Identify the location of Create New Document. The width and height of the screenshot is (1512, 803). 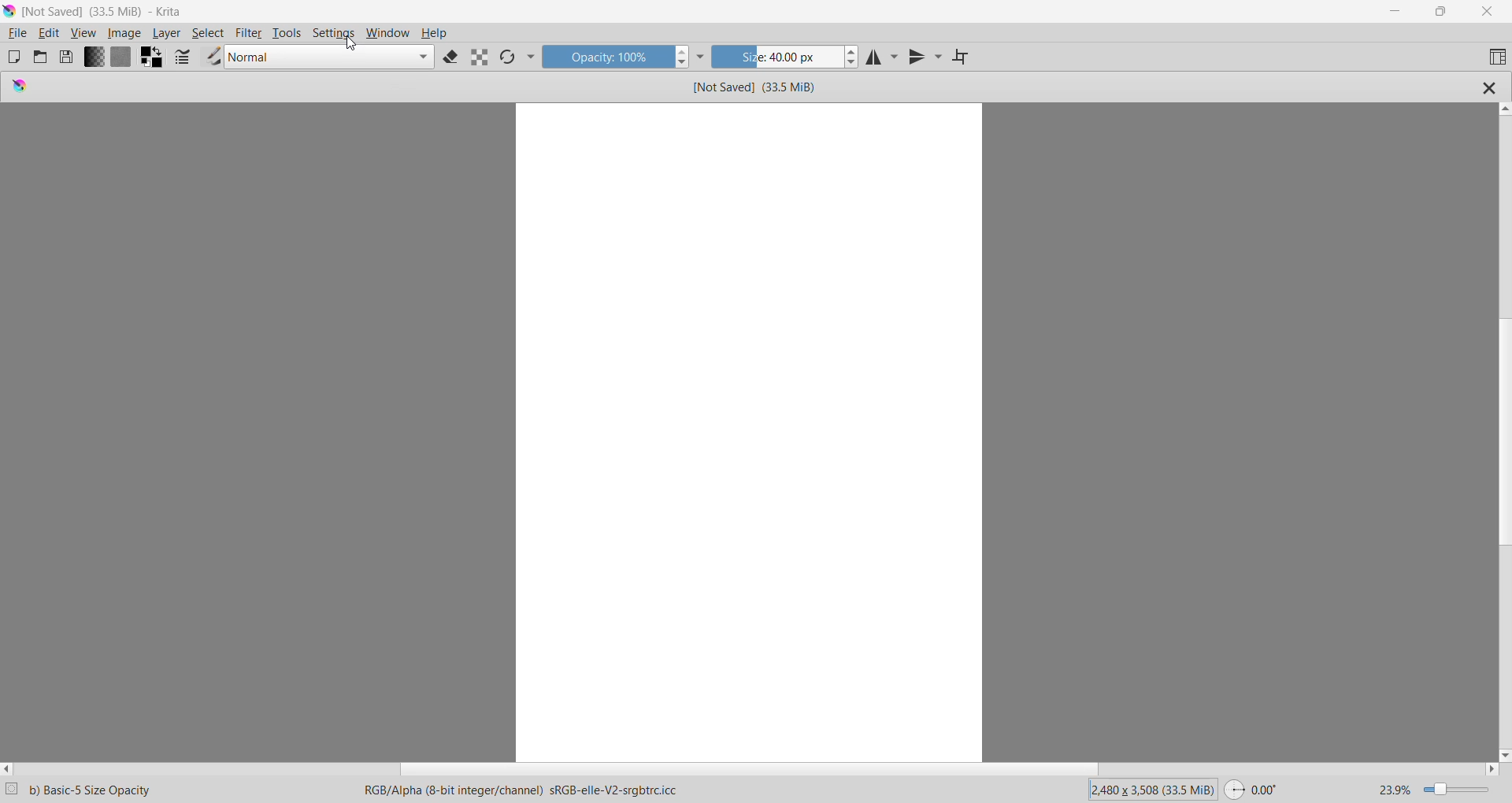
(15, 58).